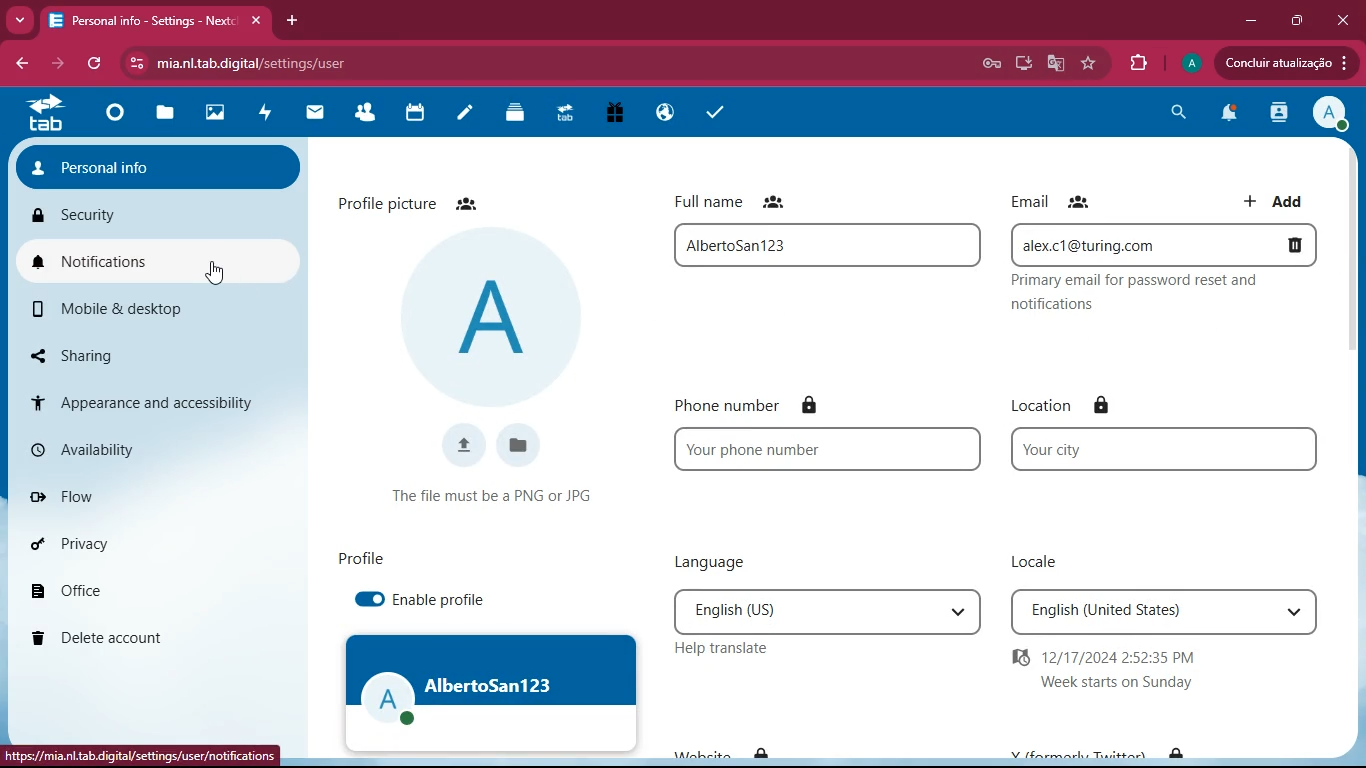  What do you see at coordinates (1033, 563) in the screenshot?
I see `locale` at bounding box center [1033, 563].